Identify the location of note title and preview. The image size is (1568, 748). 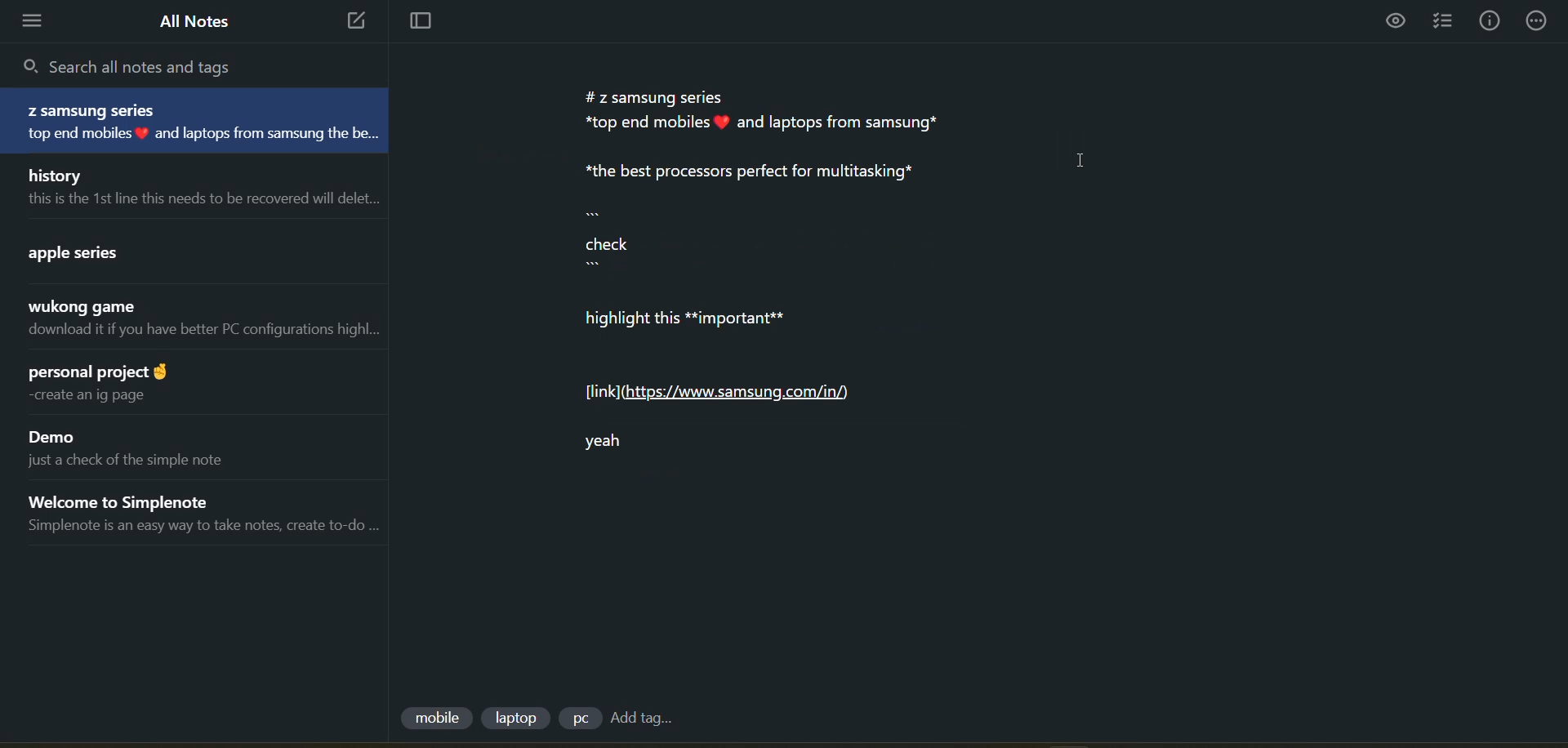
(192, 322).